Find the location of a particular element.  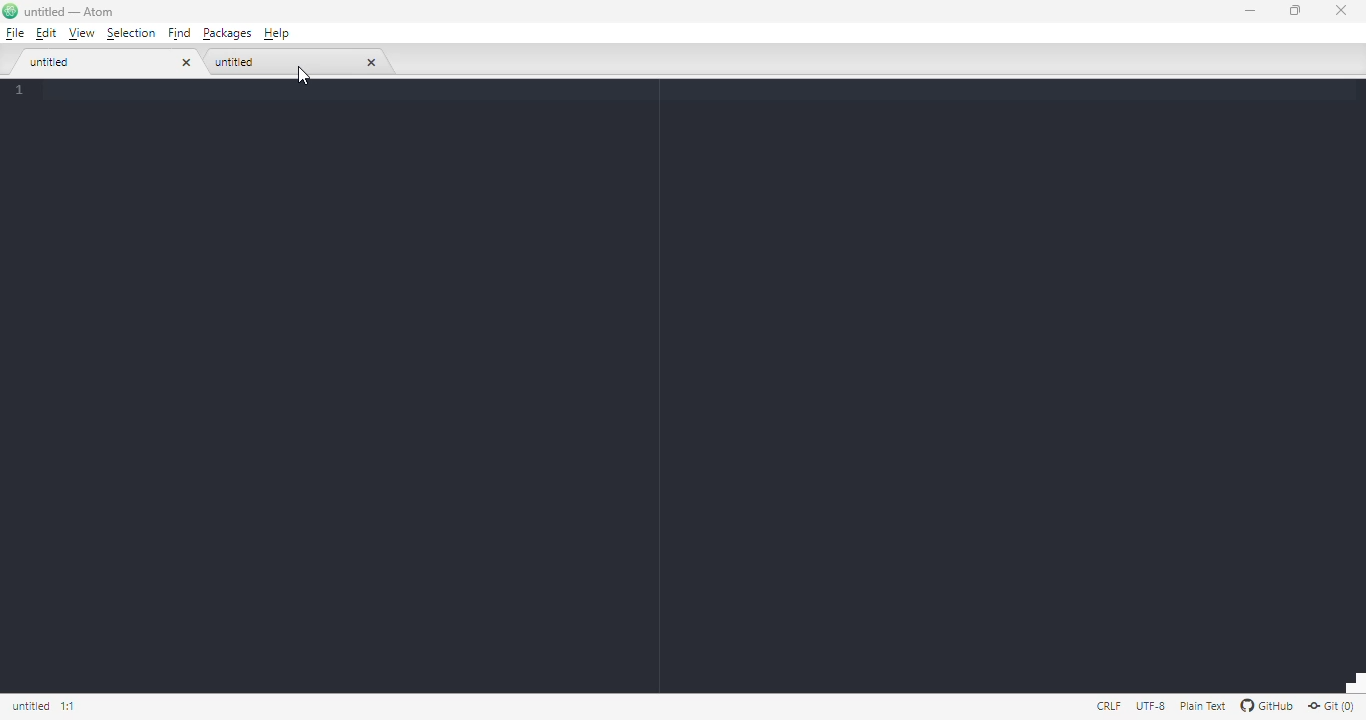

find is located at coordinates (181, 34).